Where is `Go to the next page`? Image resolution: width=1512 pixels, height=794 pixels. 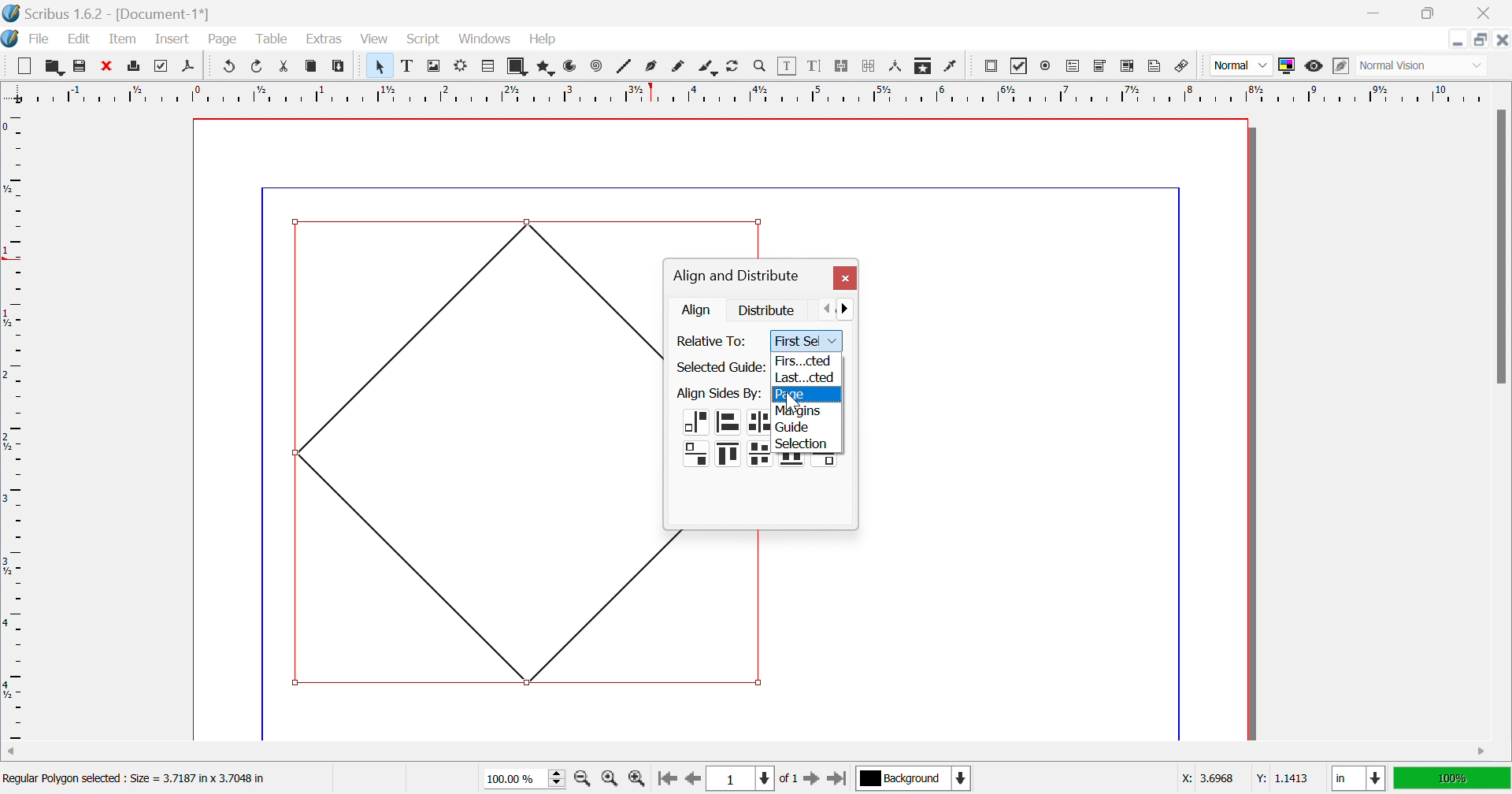 Go to the next page is located at coordinates (813, 782).